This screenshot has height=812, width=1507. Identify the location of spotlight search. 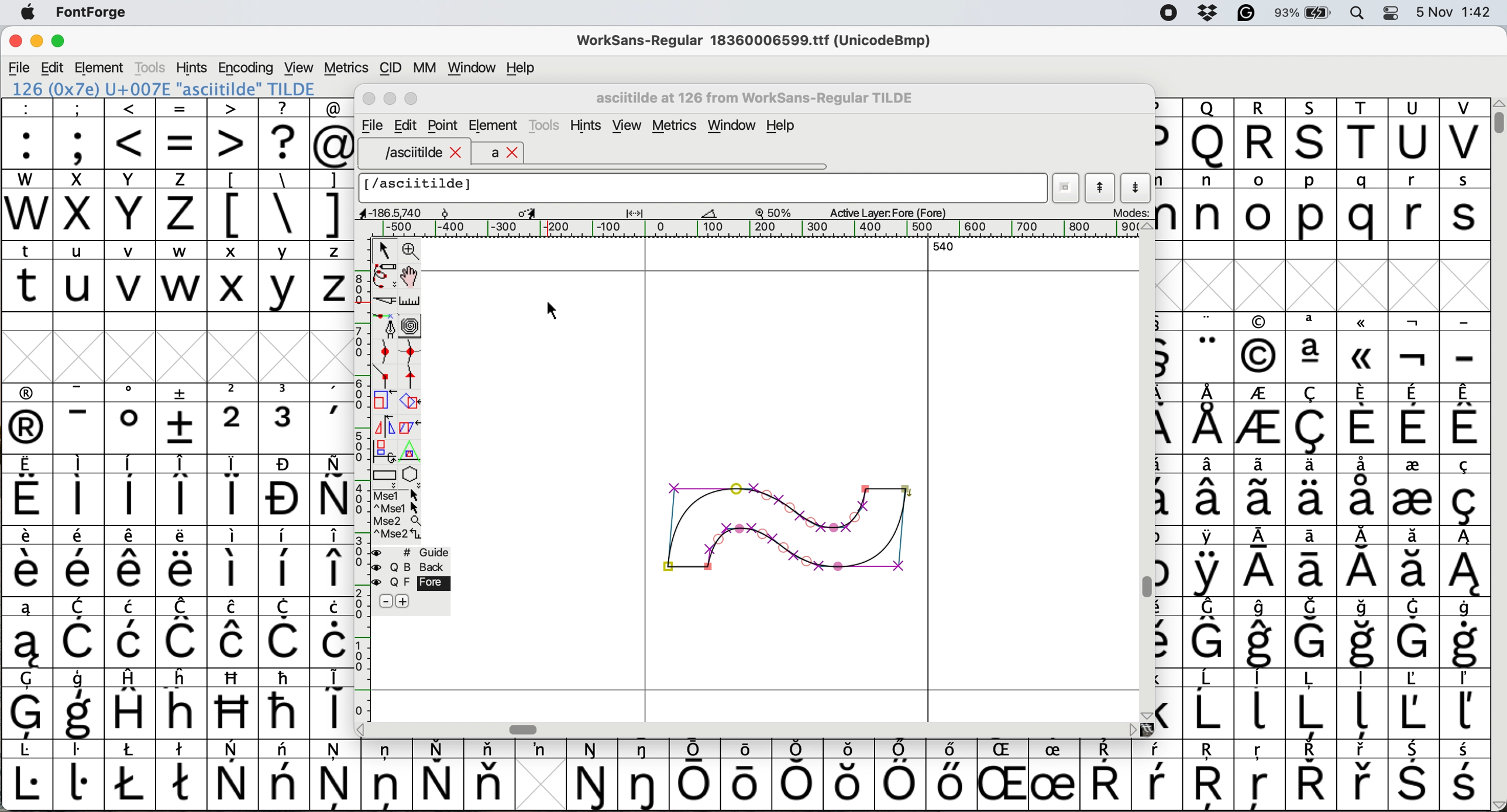
(1361, 12).